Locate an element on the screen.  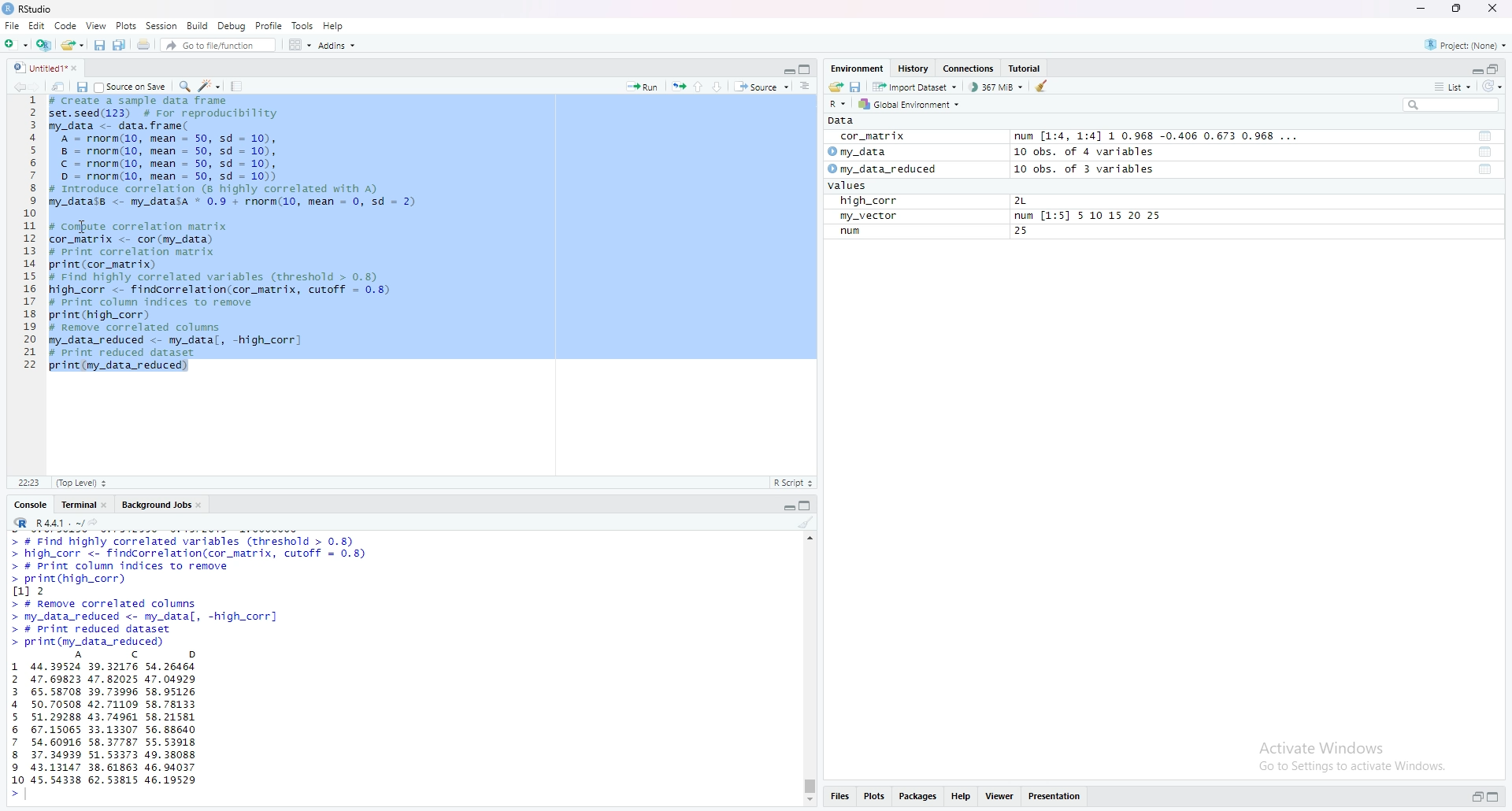
[1] 2 is located at coordinates (31, 591).